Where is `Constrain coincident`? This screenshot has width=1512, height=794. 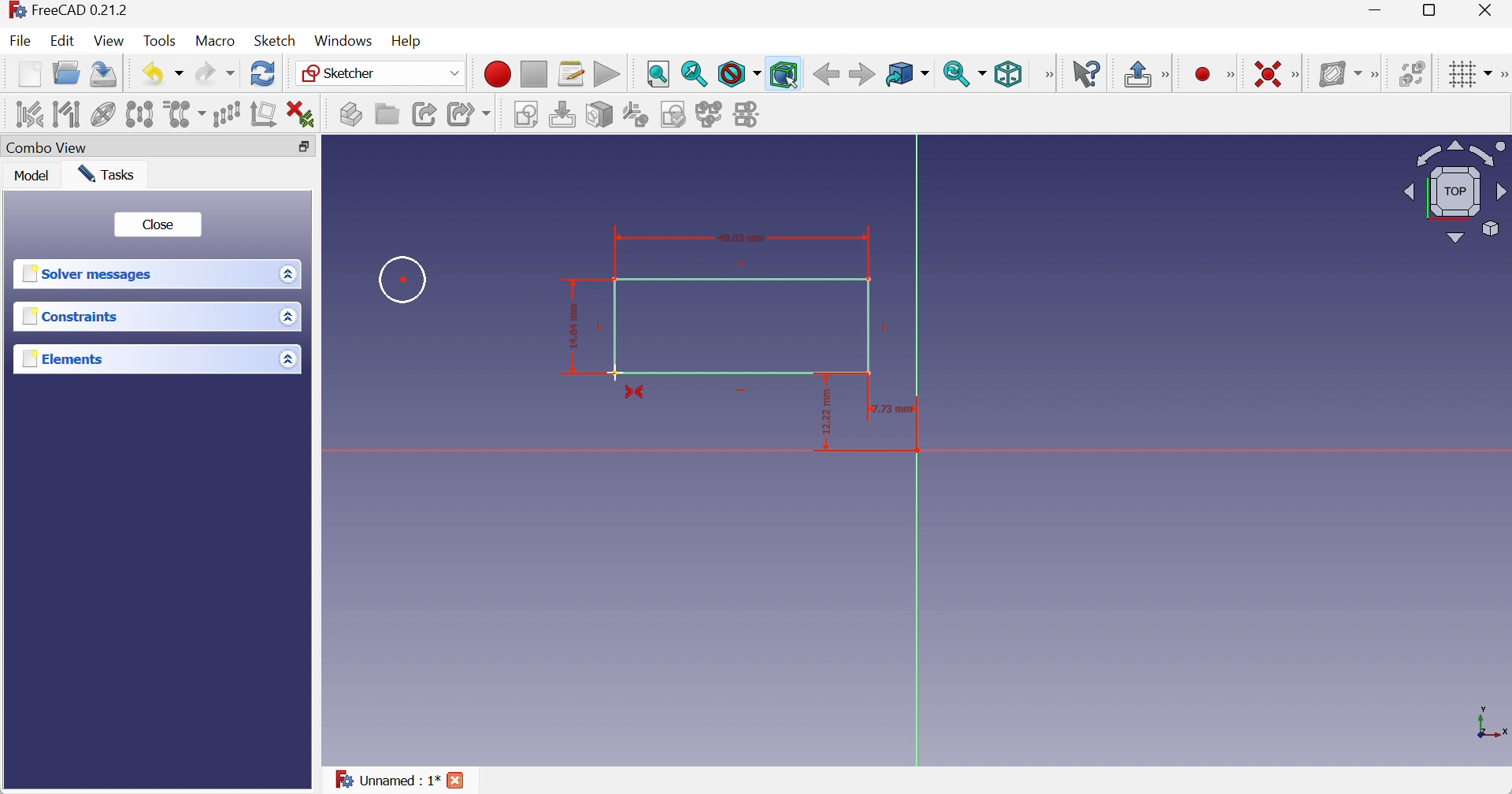
Constrain coincident is located at coordinates (1266, 72).